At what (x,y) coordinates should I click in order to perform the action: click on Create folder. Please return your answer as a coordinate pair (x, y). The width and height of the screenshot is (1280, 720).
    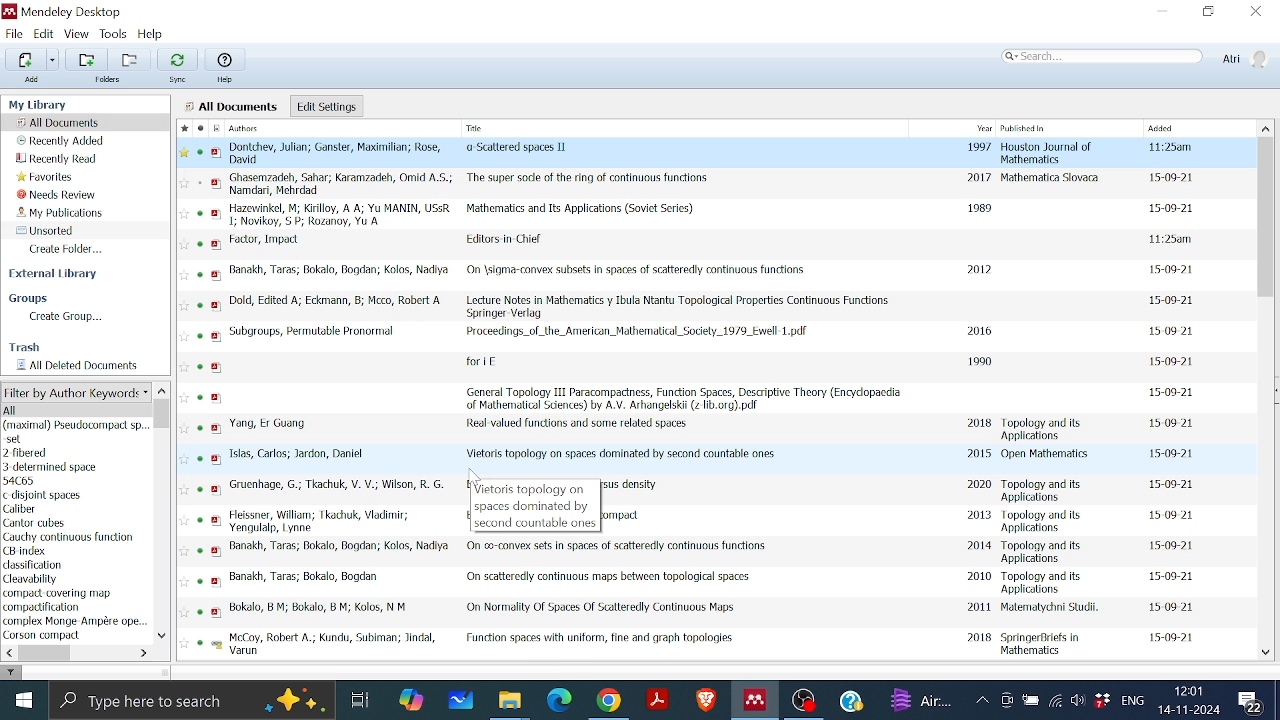
    Looking at the image, I should click on (64, 250).